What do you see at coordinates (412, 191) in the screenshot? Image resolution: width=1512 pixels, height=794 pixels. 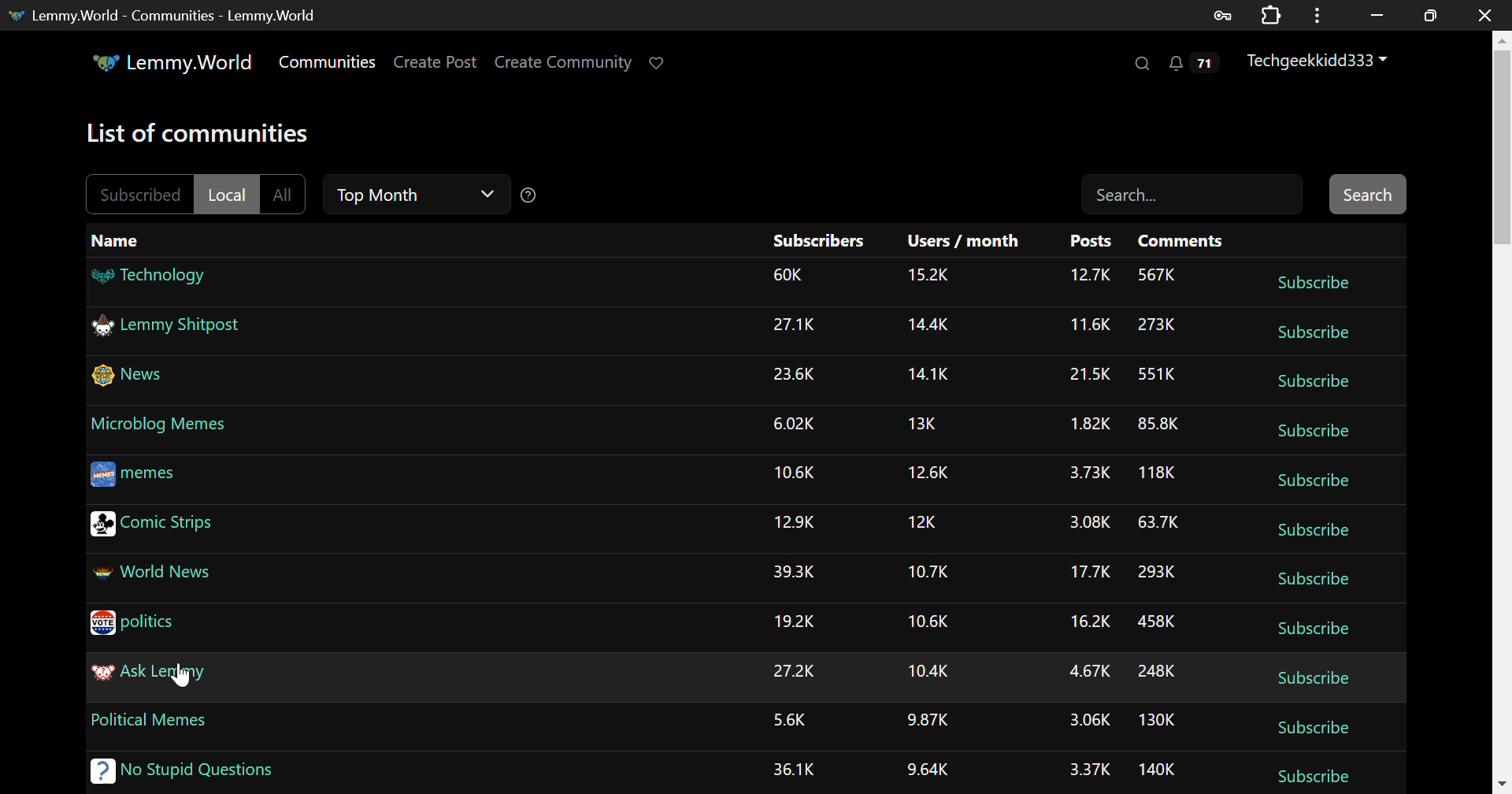 I see `Time Filter` at bounding box center [412, 191].